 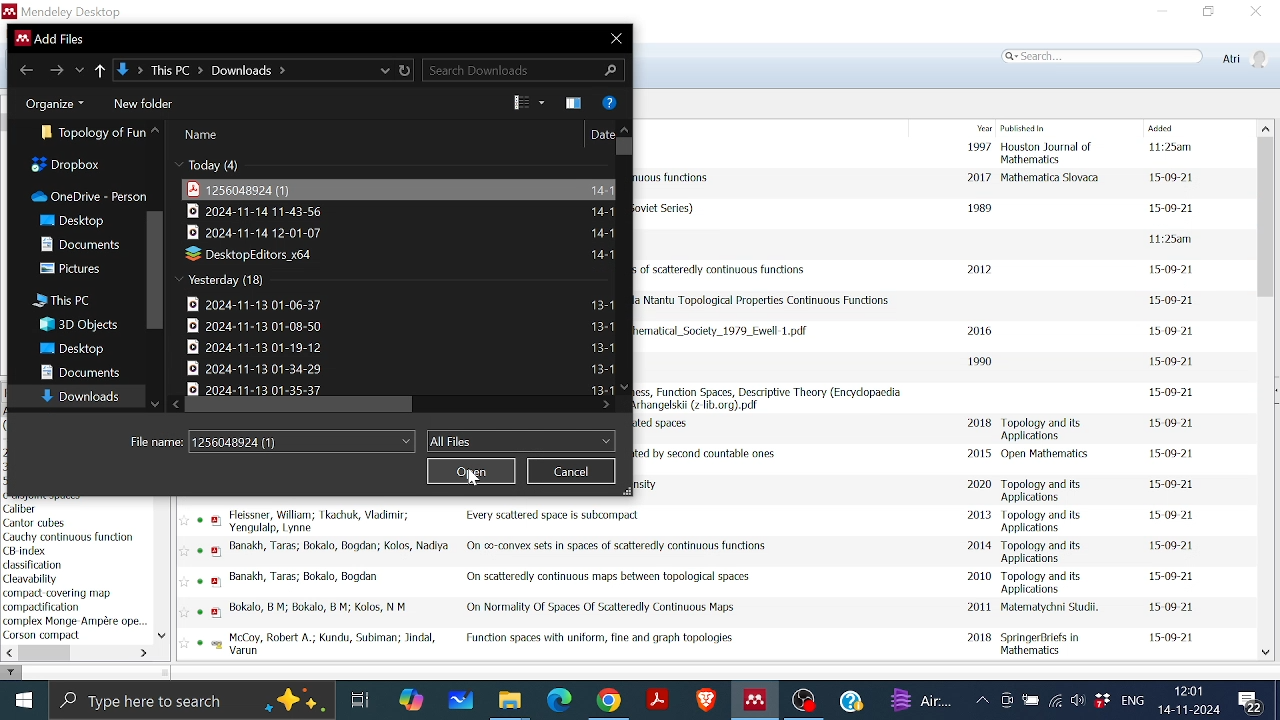 What do you see at coordinates (254, 69) in the screenshot?
I see `Location of the file` at bounding box center [254, 69].